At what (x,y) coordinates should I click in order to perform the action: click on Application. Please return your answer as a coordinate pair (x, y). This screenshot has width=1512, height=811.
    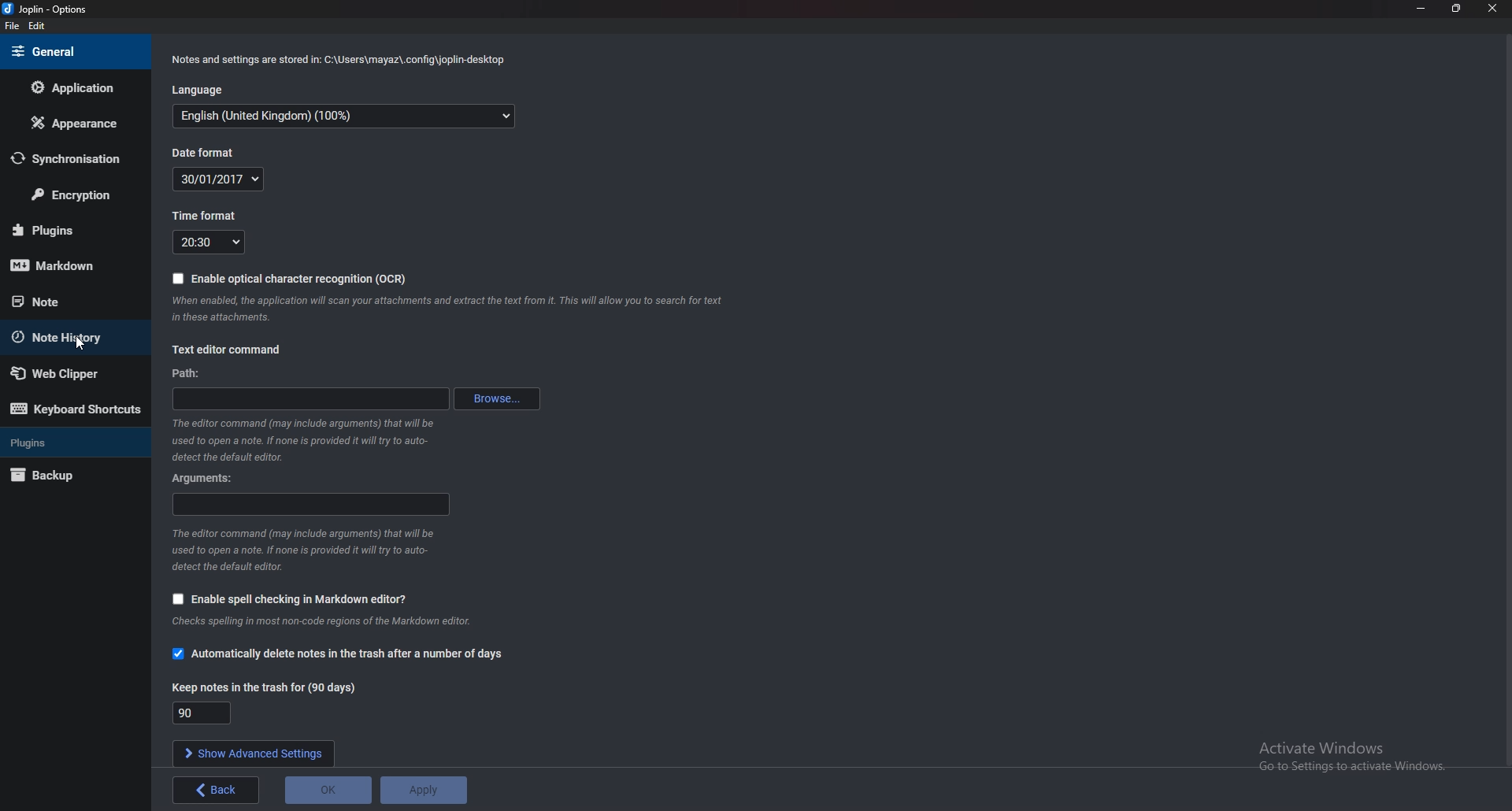
    Looking at the image, I should click on (76, 86).